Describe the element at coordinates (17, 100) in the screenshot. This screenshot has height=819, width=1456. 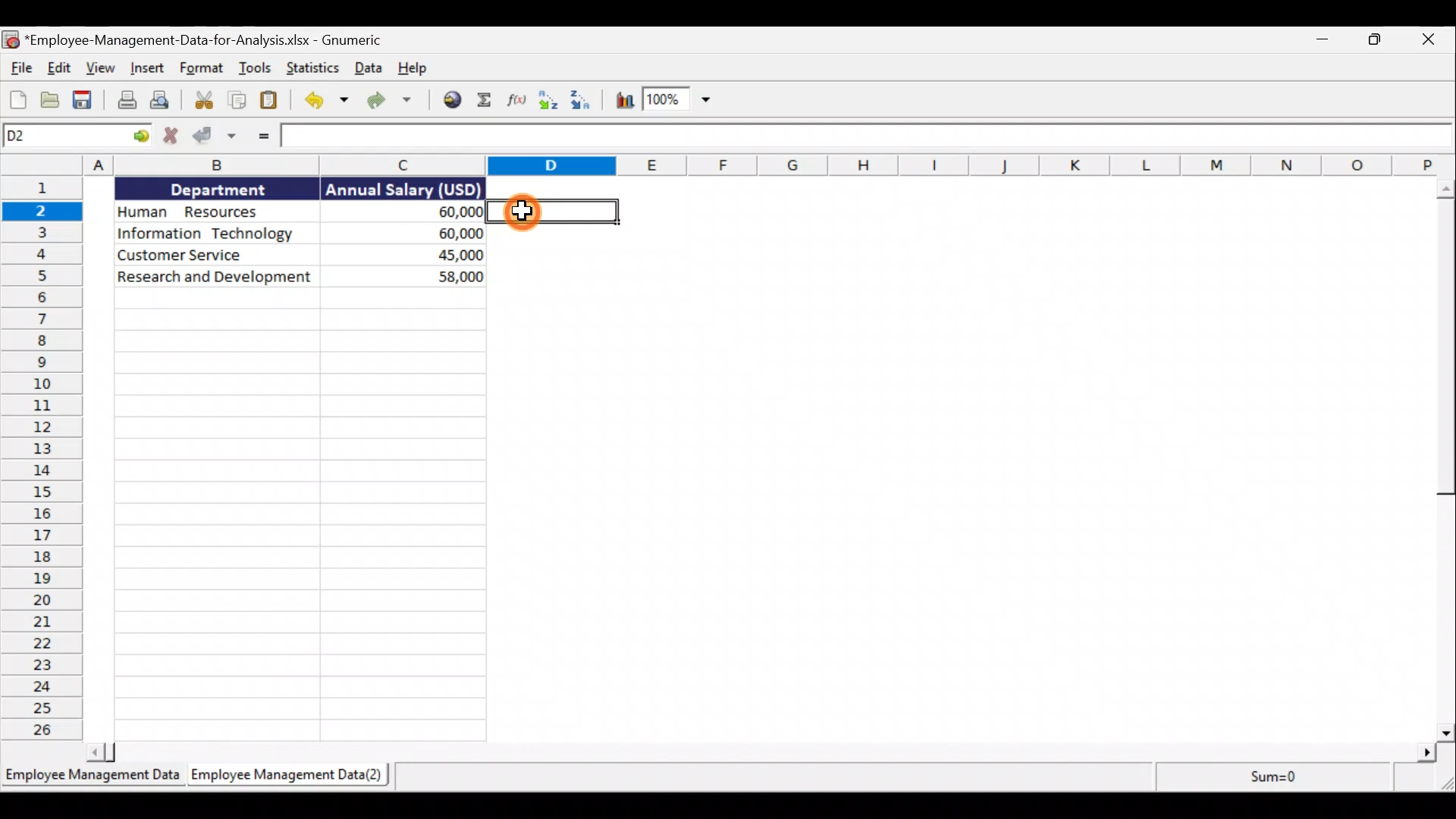
I see `Create a new workbook` at that location.